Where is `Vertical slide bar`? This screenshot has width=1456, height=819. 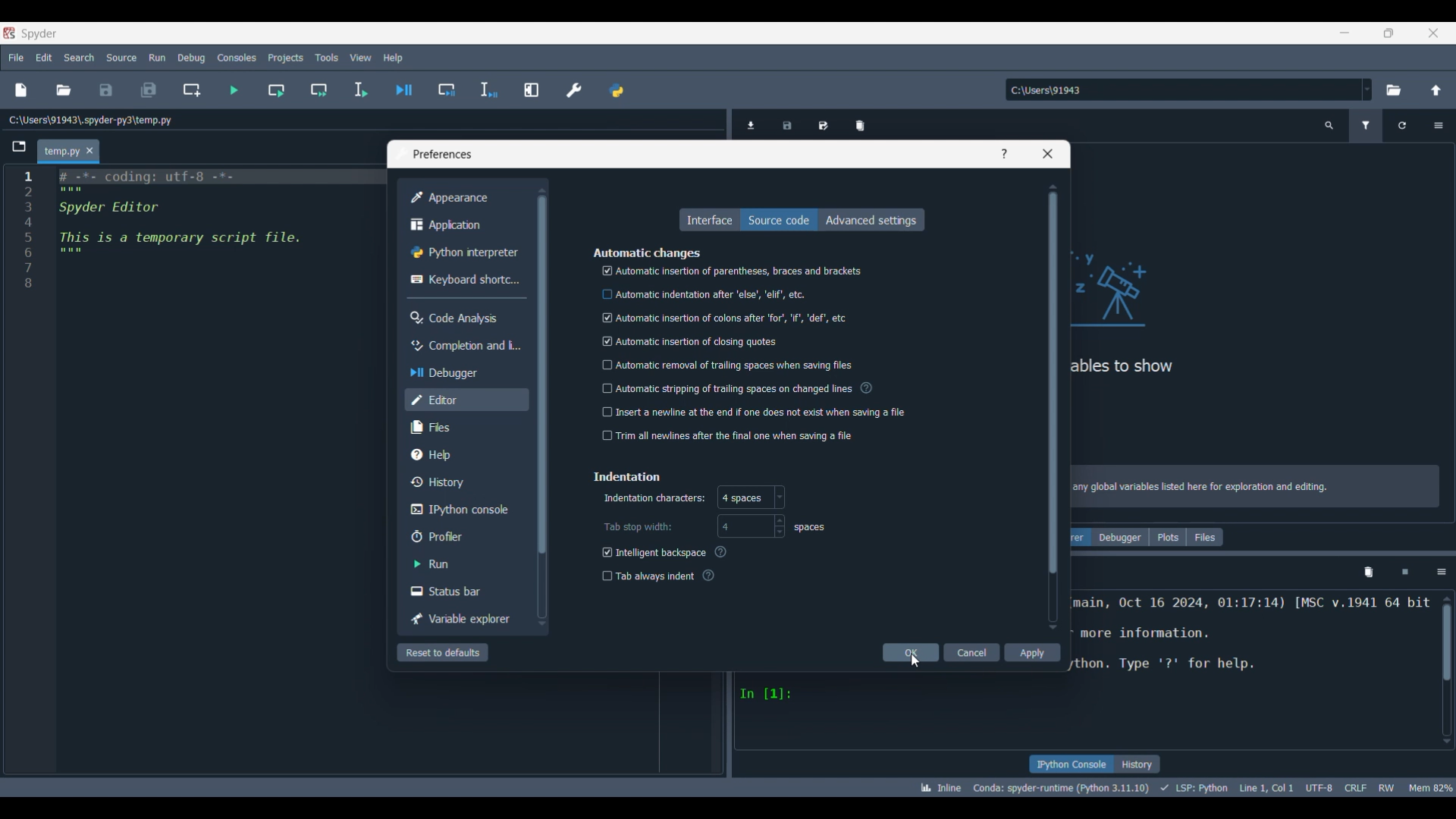
Vertical slide bar is located at coordinates (541, 406).